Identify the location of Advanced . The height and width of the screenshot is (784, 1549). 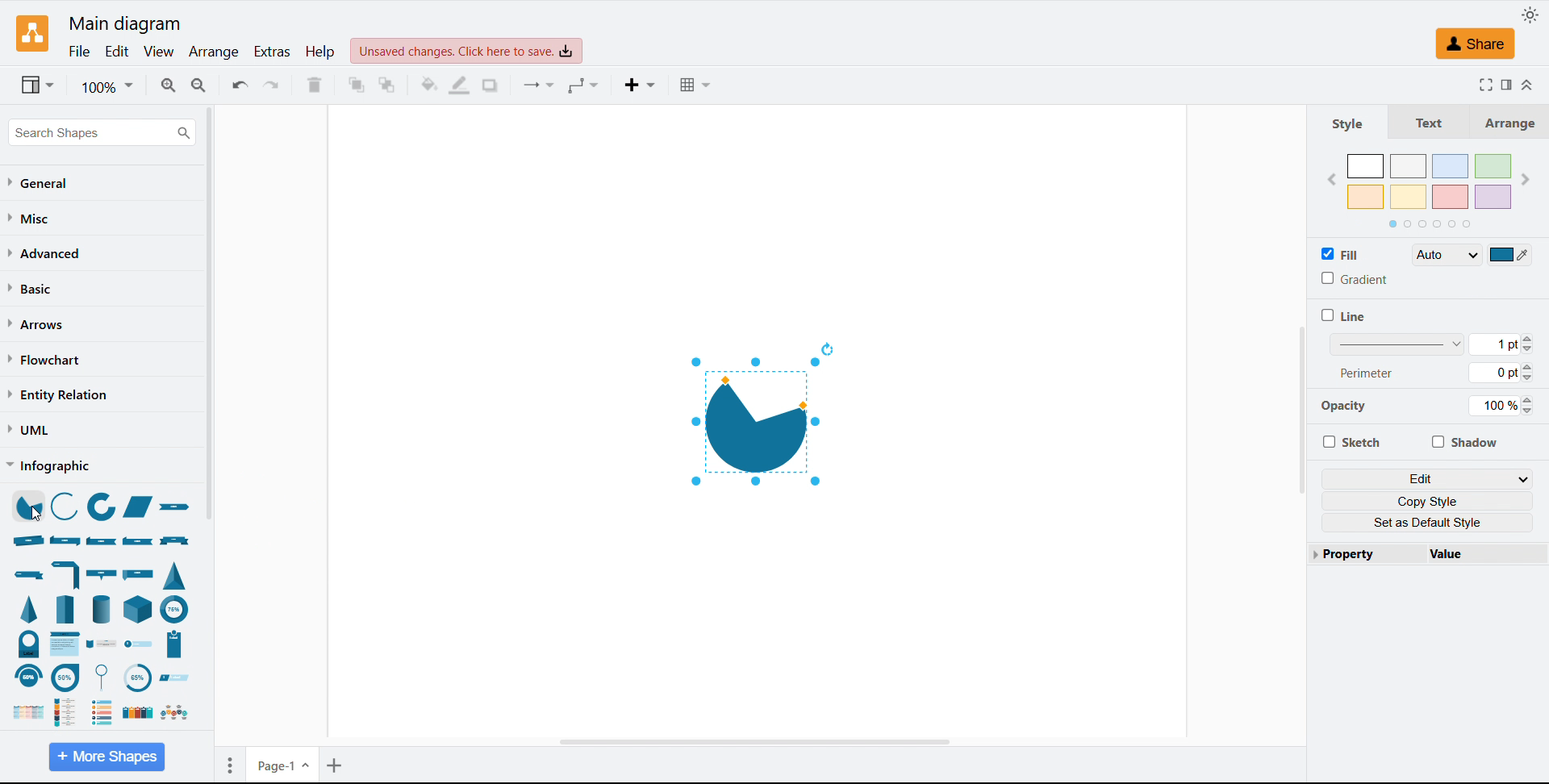
(45, 253).